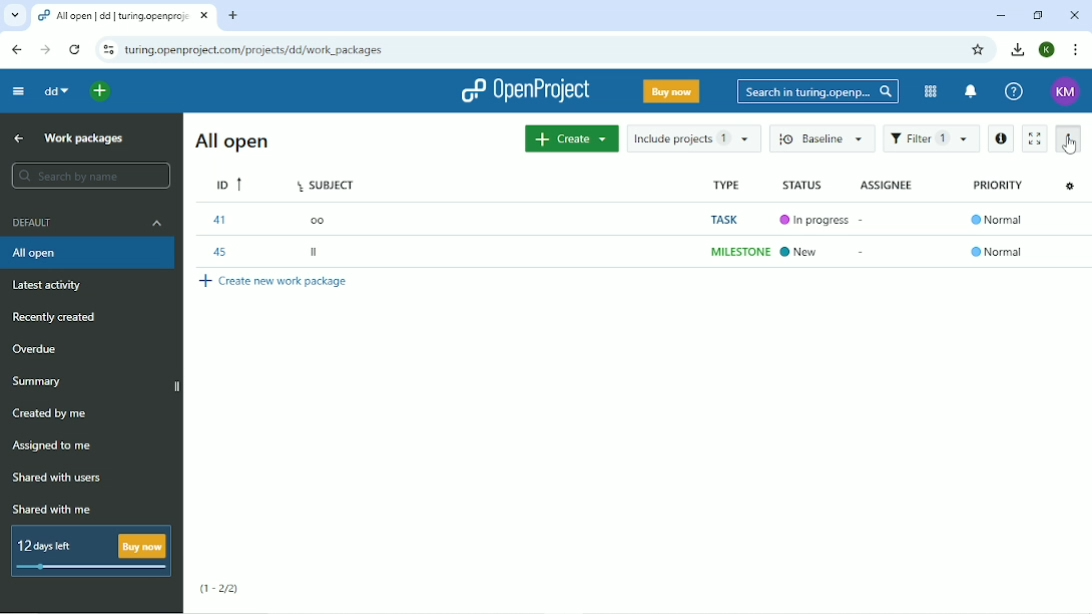 The width and height of the screenshot is (1092, 614). I want to click on dd, so click(55, 93).